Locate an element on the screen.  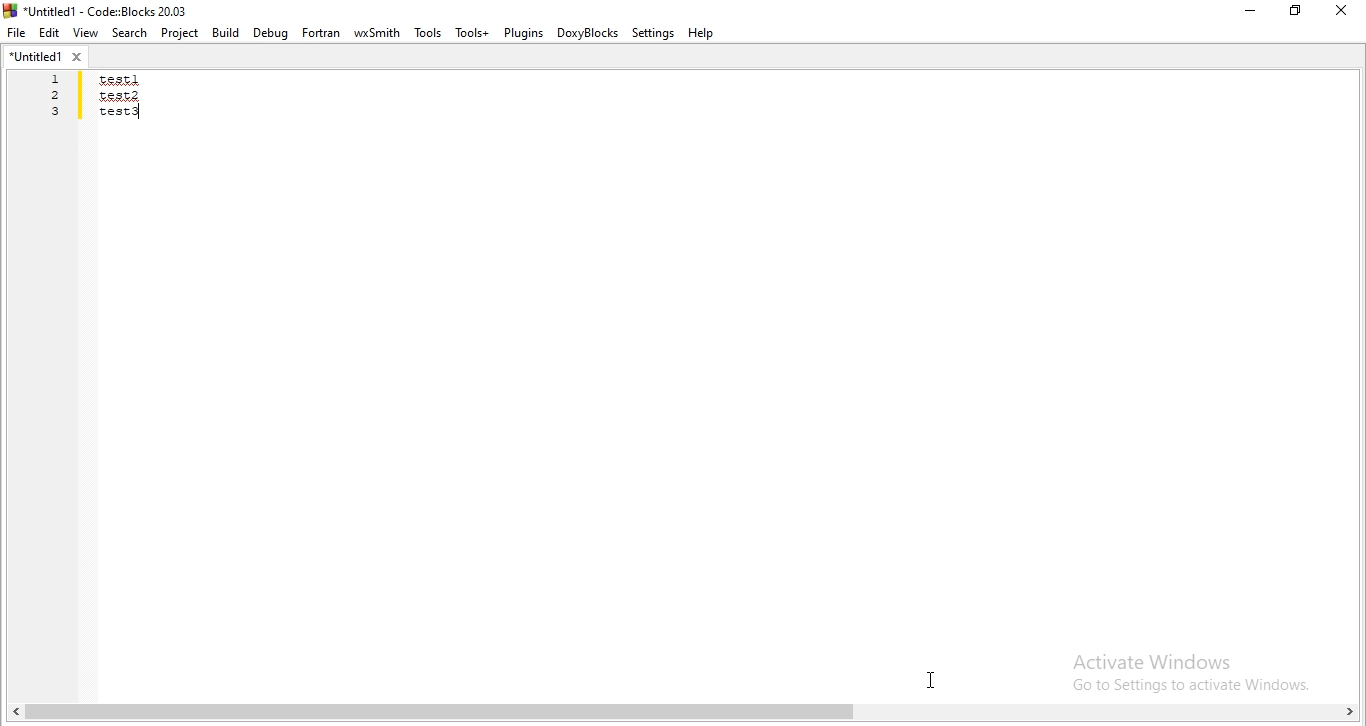
Settings  is located at coordinates (653, 35).